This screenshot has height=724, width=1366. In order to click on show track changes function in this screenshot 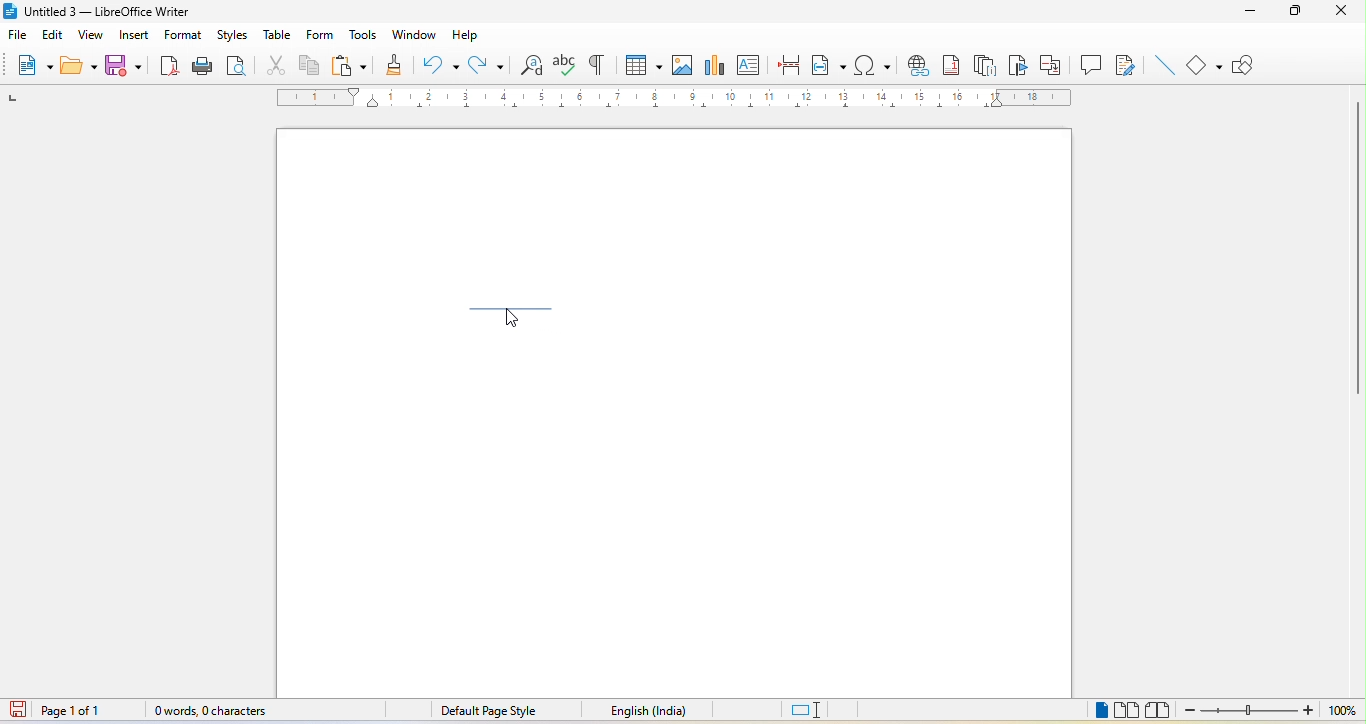, I will do `click(1133, 67)`.